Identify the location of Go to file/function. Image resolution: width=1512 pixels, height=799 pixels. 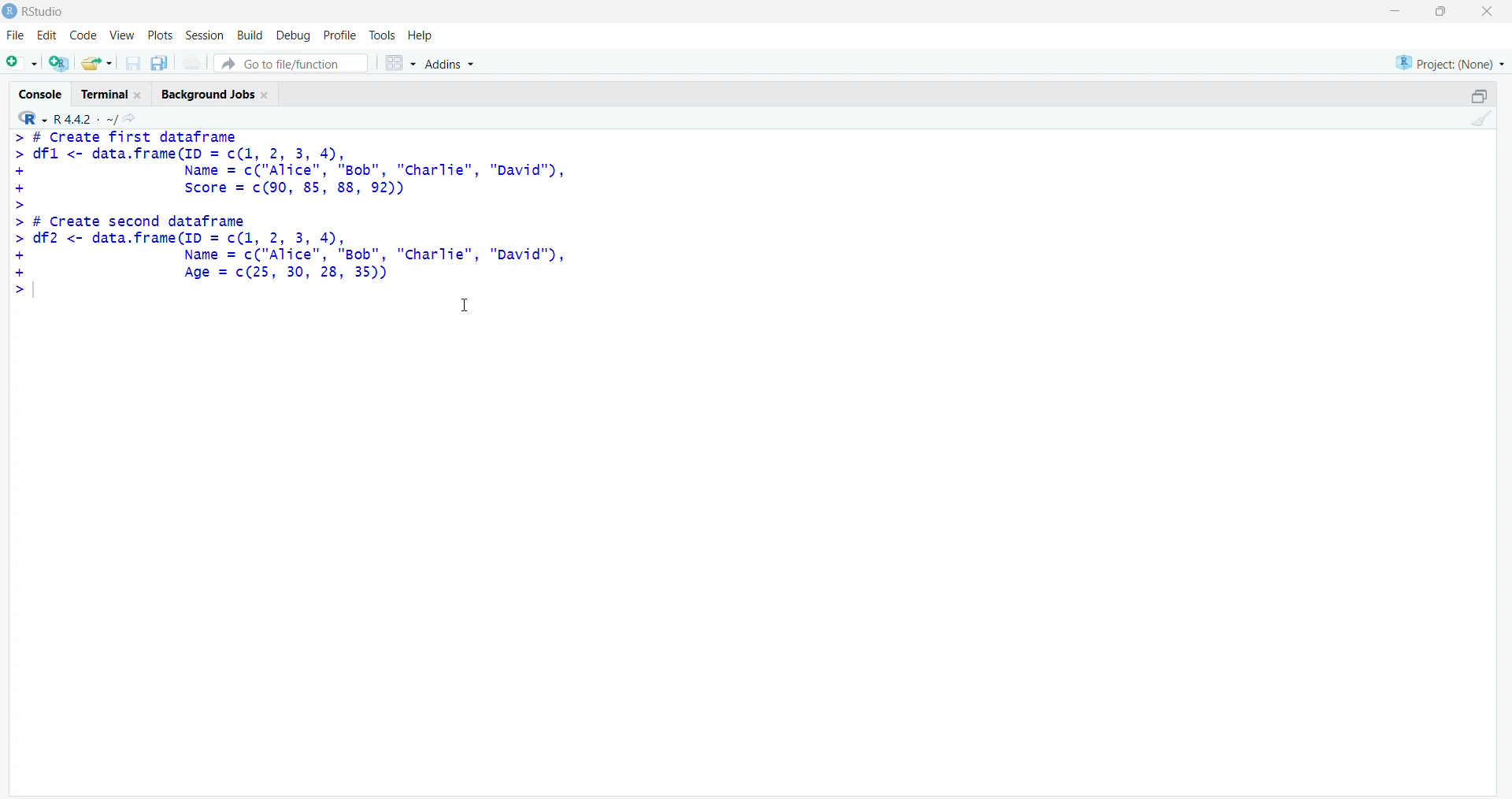
(291, 63).